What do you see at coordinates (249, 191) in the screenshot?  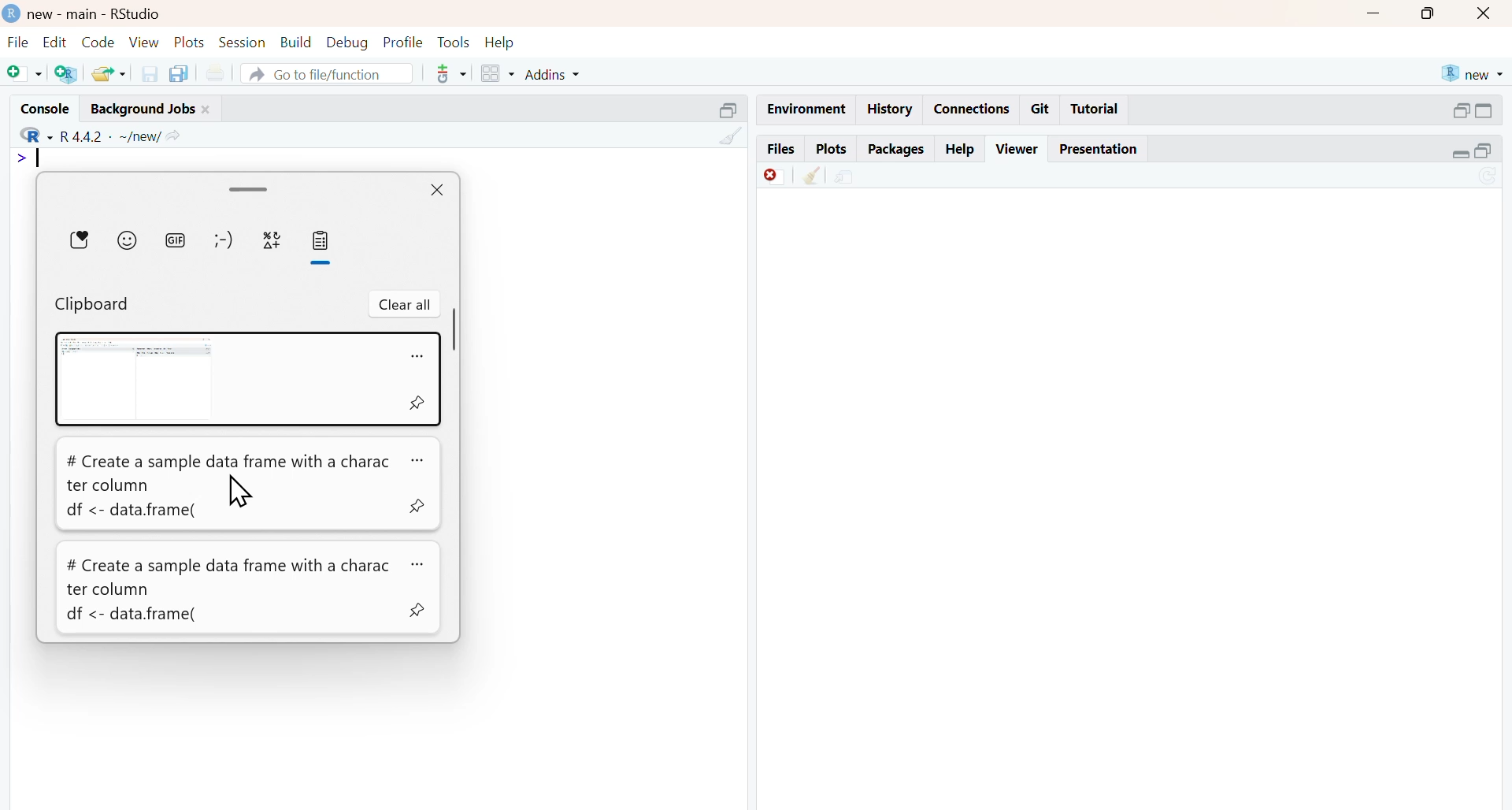 I see `drag handle` at bounding box center [249, 191].